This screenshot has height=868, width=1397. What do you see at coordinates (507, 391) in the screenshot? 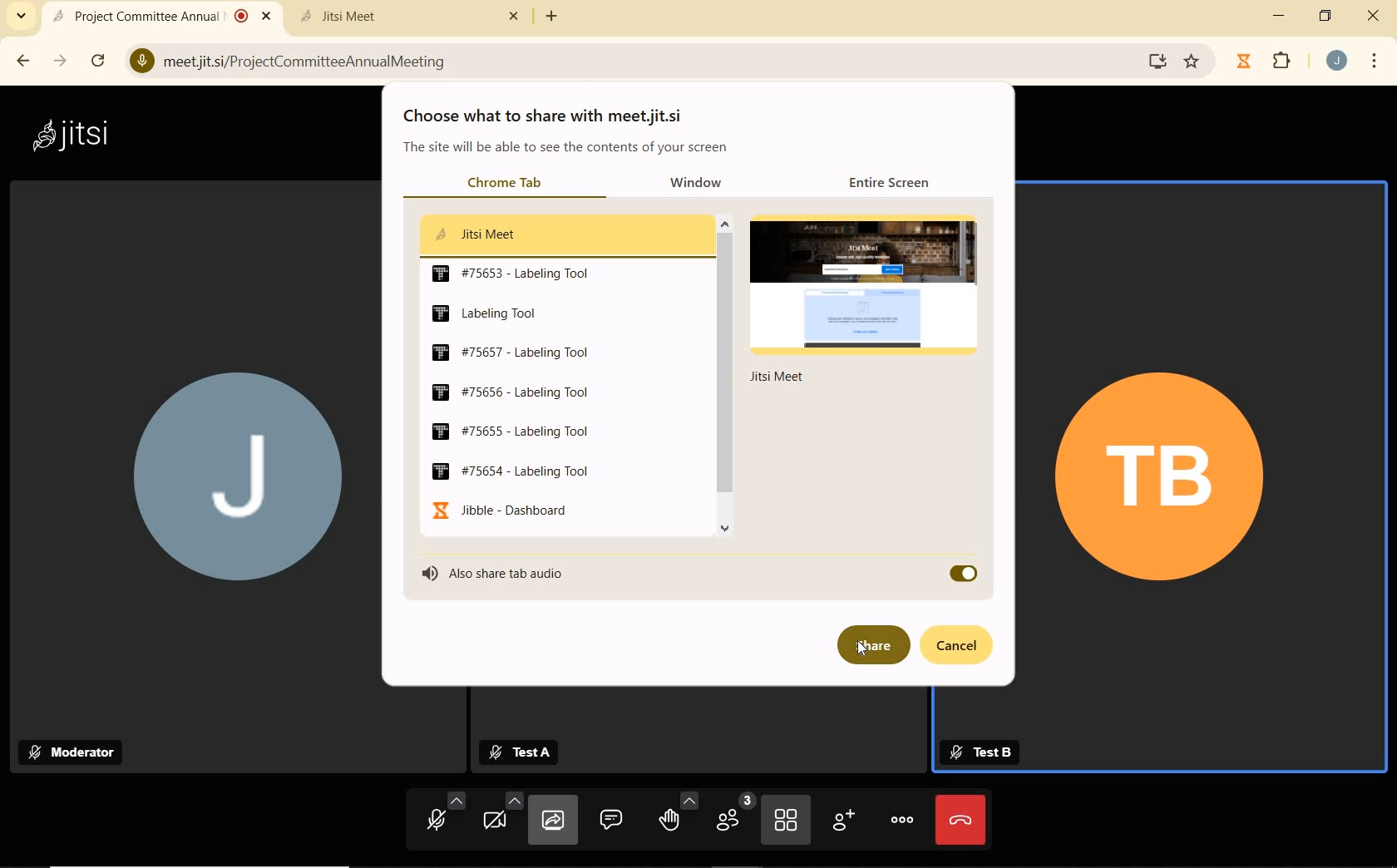
I see `#75656 - Labeling Tool` at bounding box center [507, 391].